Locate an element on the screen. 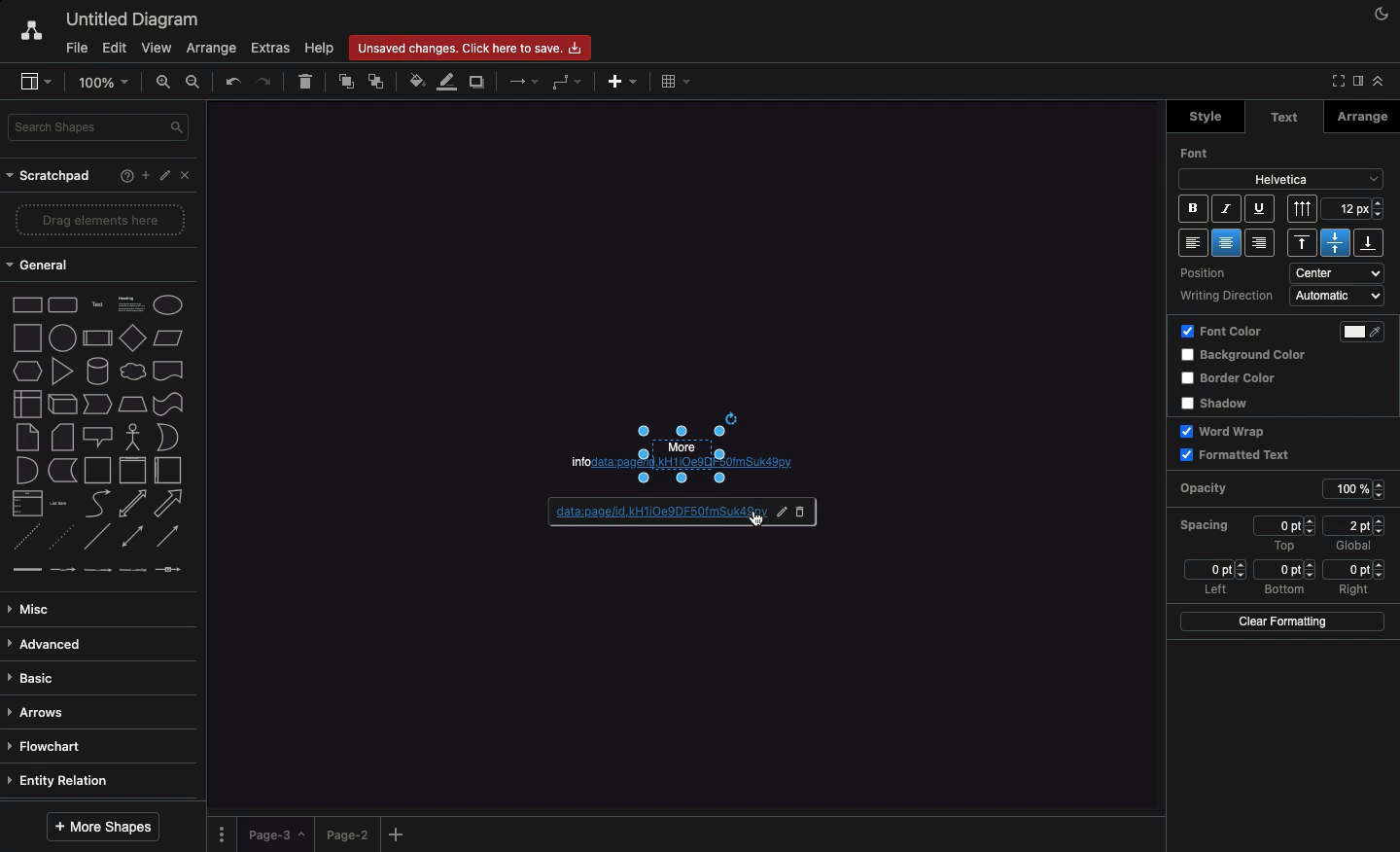  Clear formatting is located at coordinates (1280, 621).